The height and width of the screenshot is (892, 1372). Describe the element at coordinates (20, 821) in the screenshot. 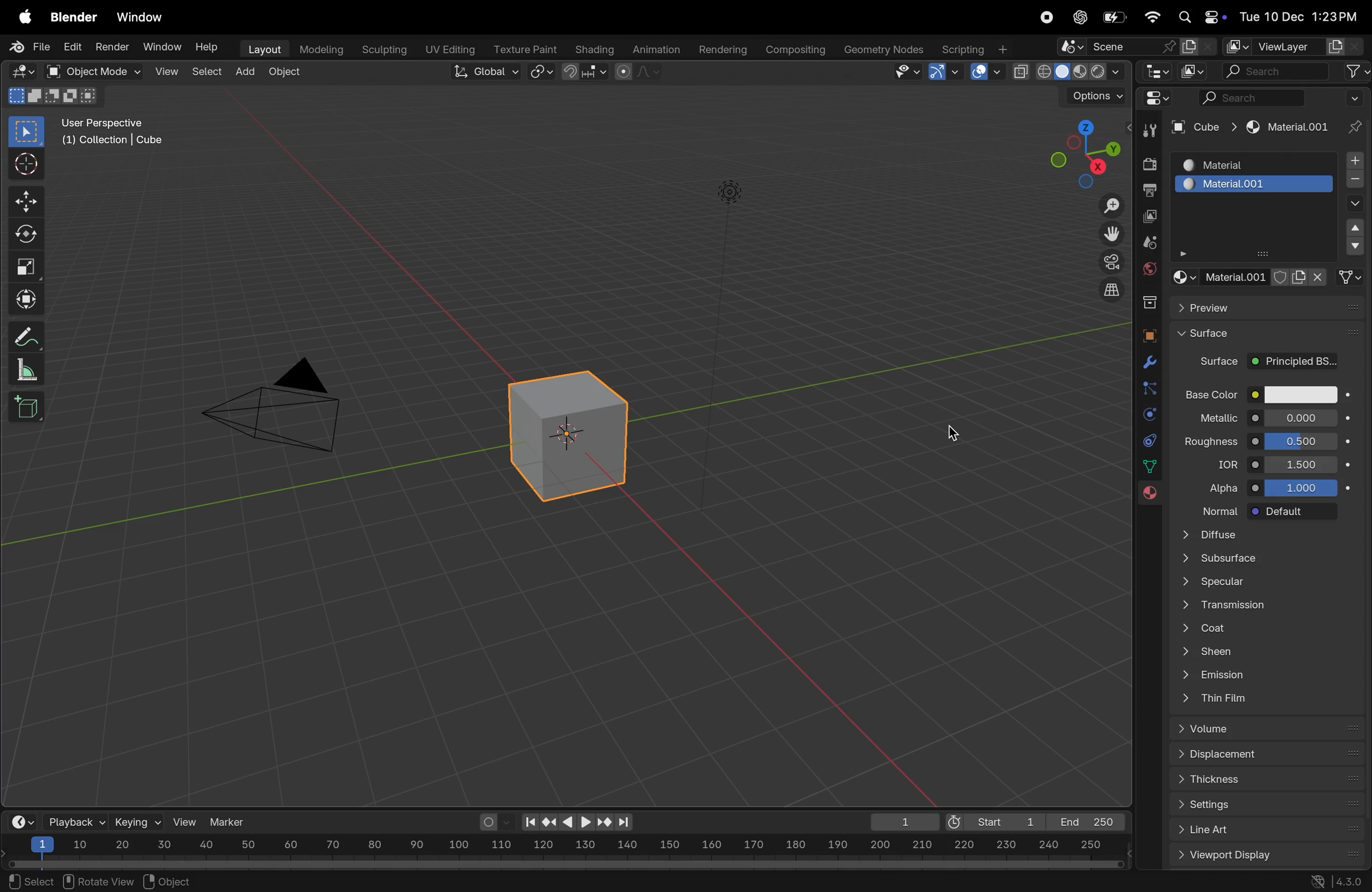

I see `time` at that location.